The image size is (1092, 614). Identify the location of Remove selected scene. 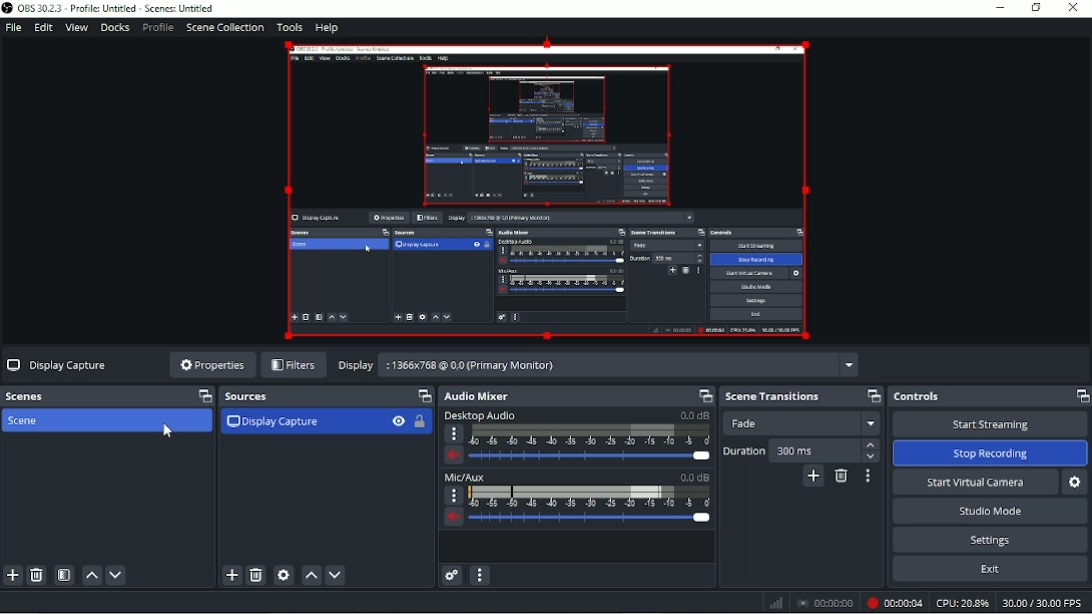
(38, 575).